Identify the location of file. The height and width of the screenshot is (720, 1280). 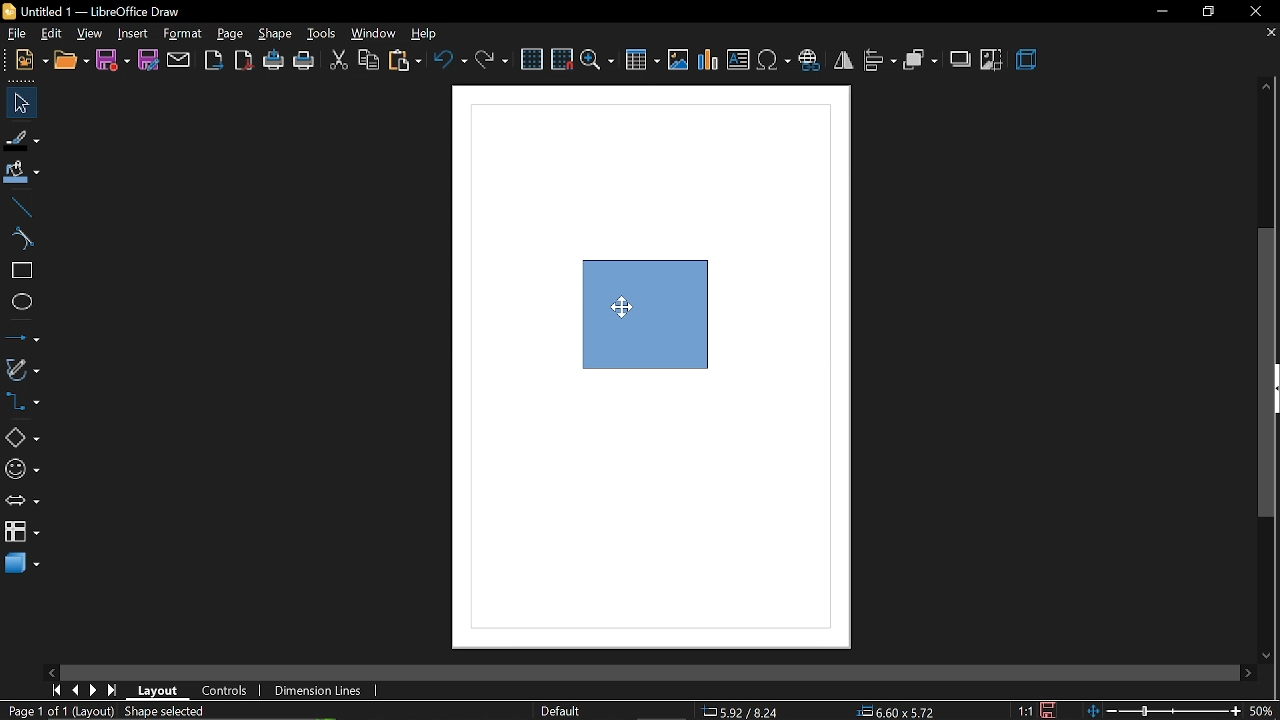
(14, 34).